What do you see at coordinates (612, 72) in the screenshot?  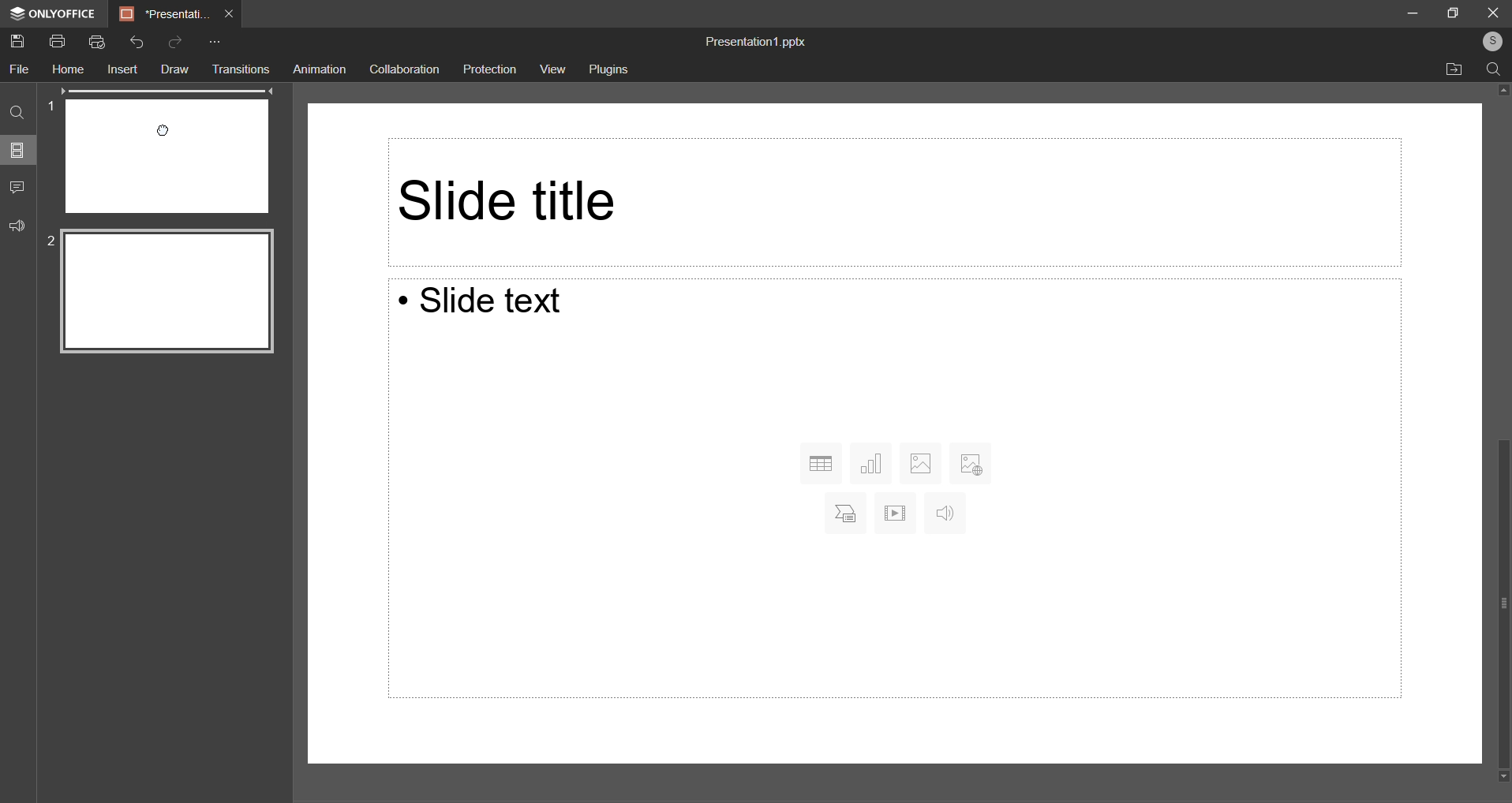 I see `Plugins` at bounding box center [612, 72].